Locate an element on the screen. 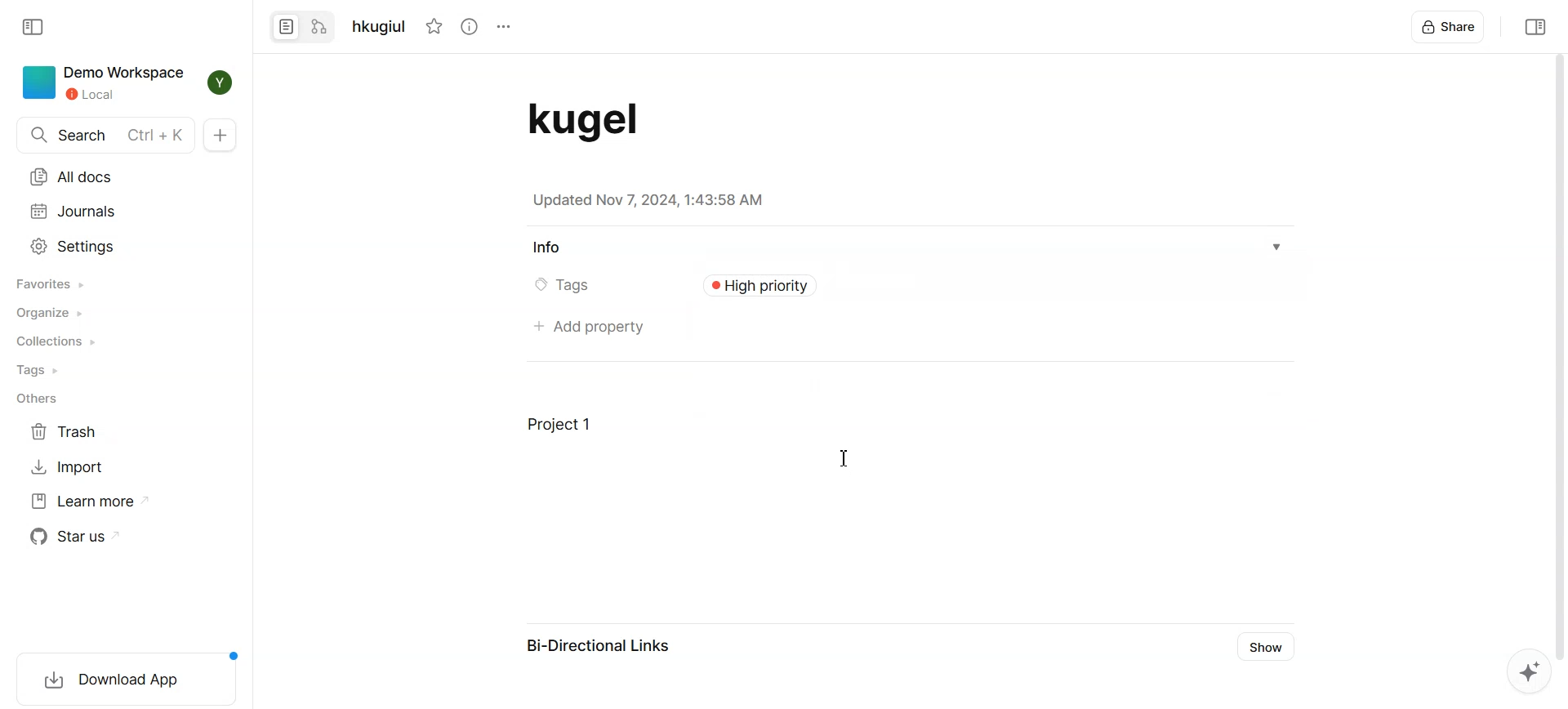  Learn more is located at coordinates (89, 502).